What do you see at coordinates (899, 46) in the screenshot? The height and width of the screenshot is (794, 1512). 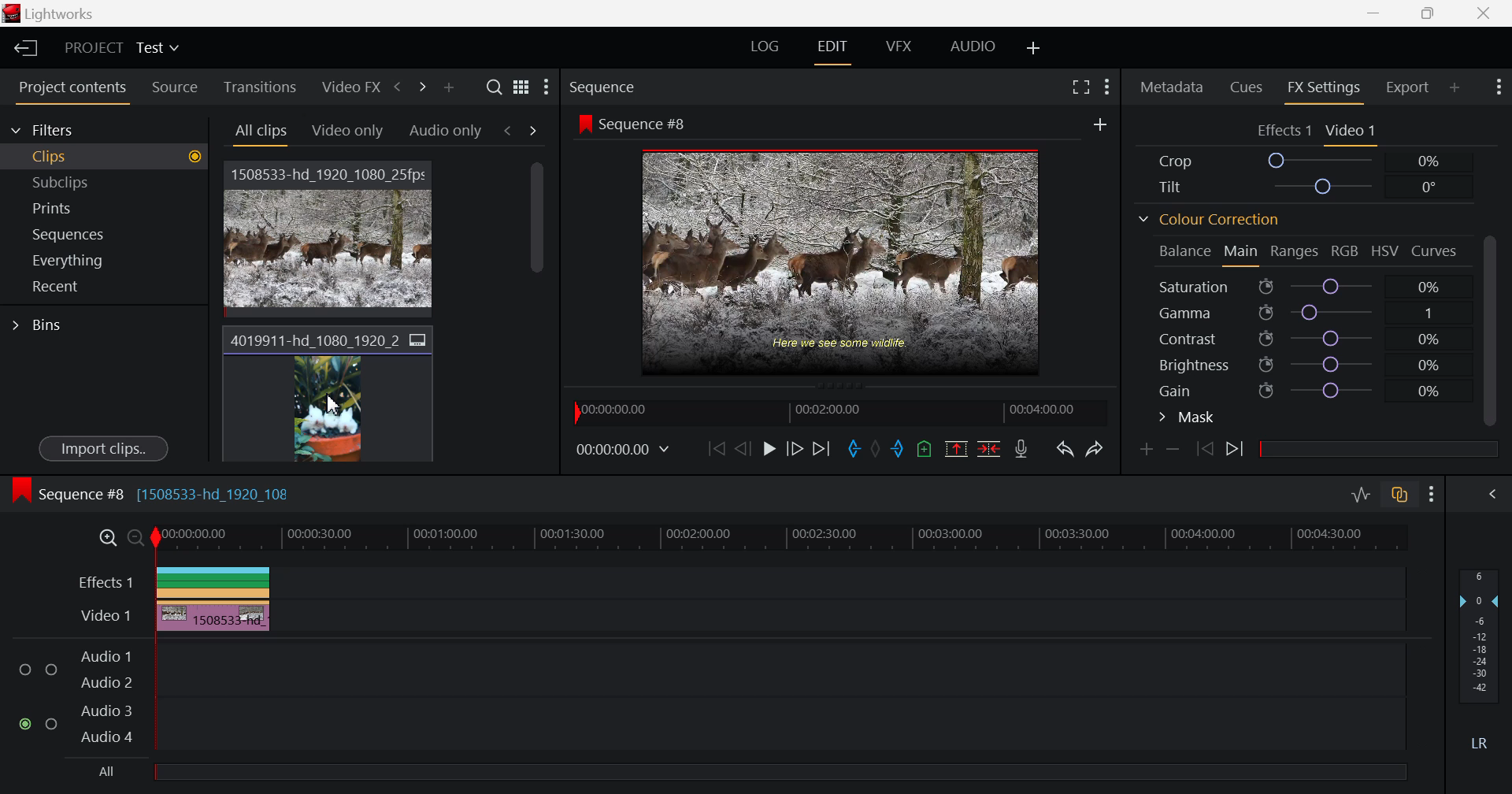 I see `VFX Layout` at bounding box center [899, 46].